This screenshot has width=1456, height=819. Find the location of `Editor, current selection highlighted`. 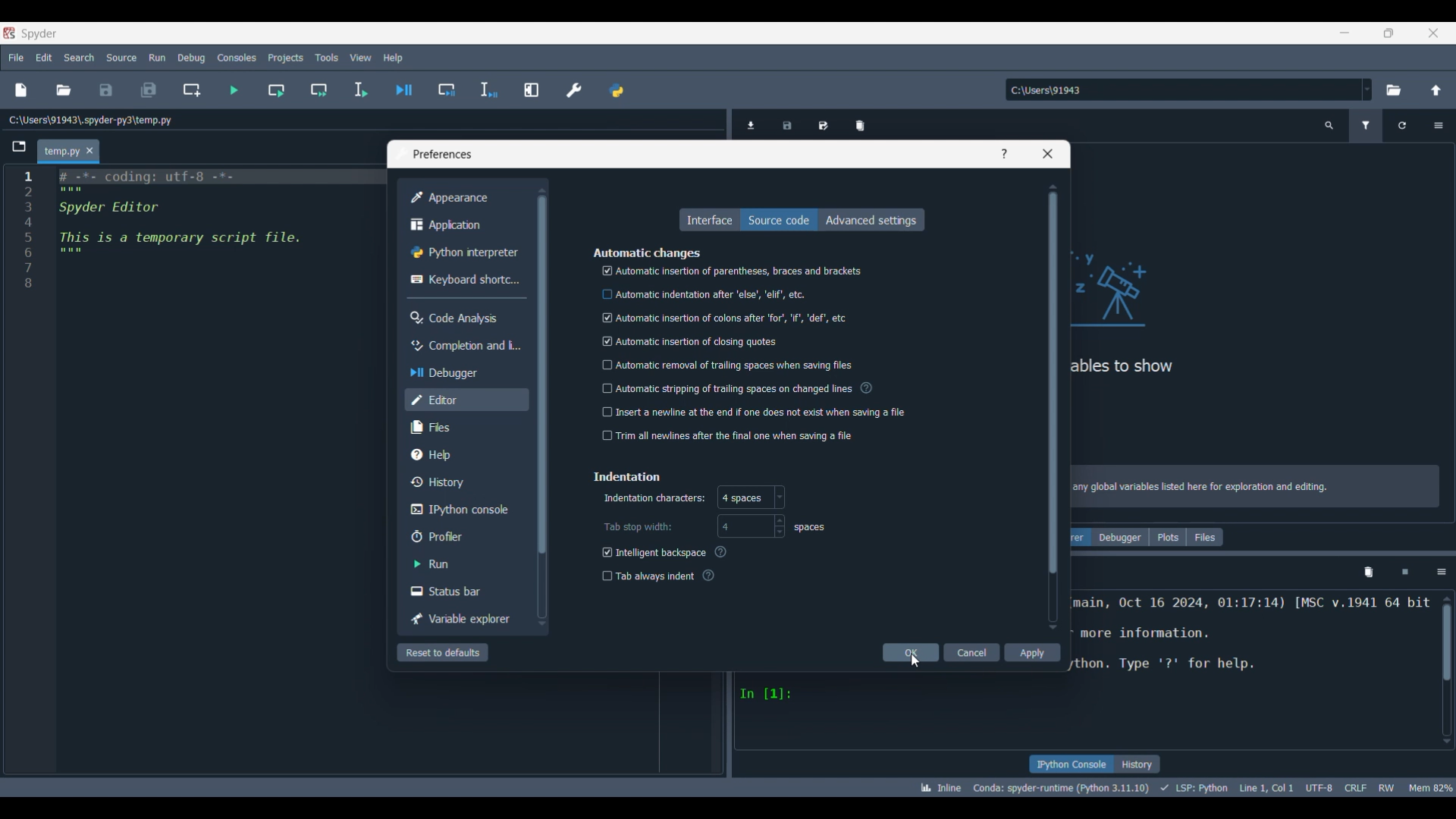

Editor, current selection highlighted is located at coordinates (467, 400).